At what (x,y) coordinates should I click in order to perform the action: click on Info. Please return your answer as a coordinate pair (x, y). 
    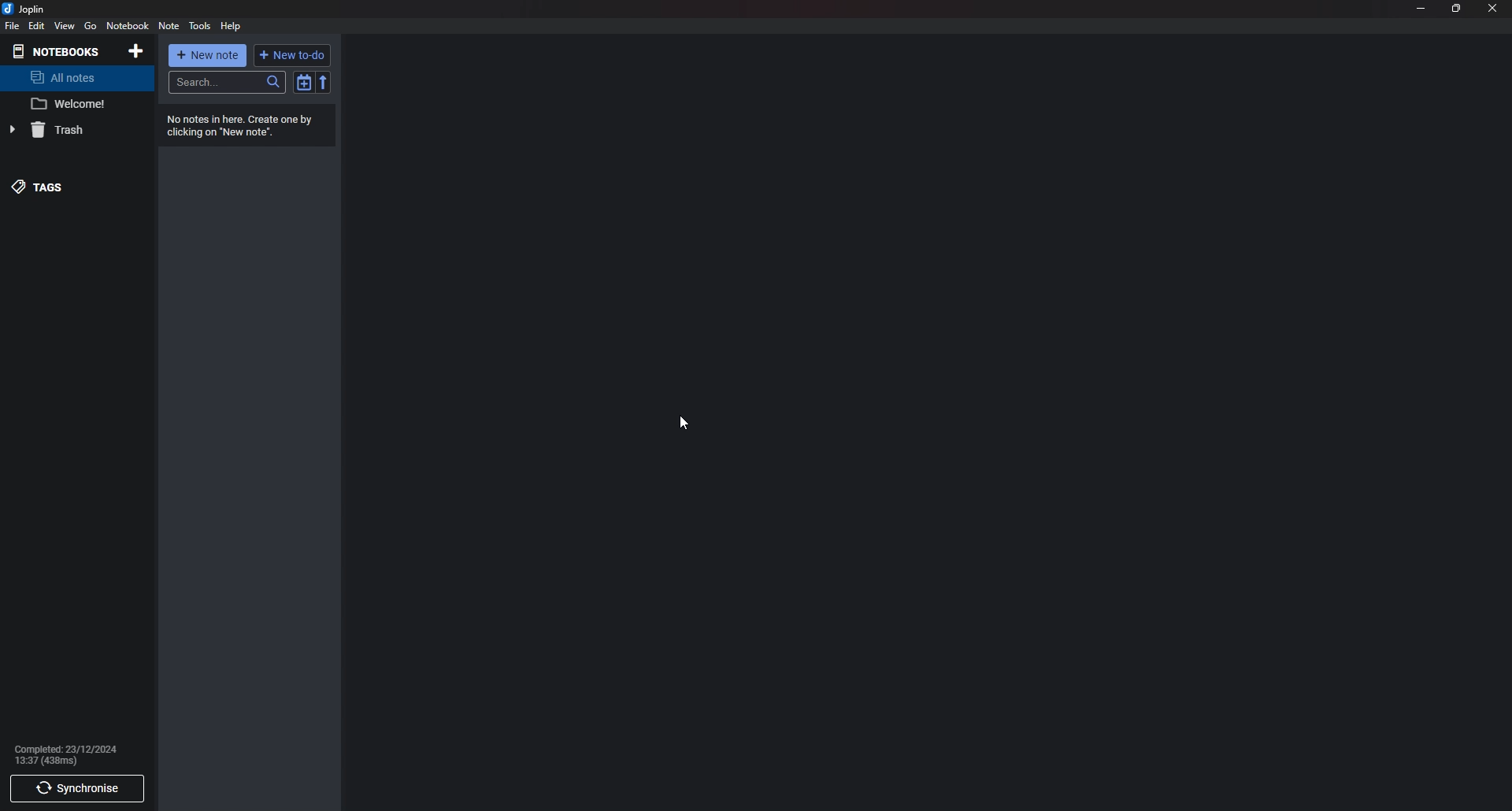
    Looking at the image, I should click on (72, 754).